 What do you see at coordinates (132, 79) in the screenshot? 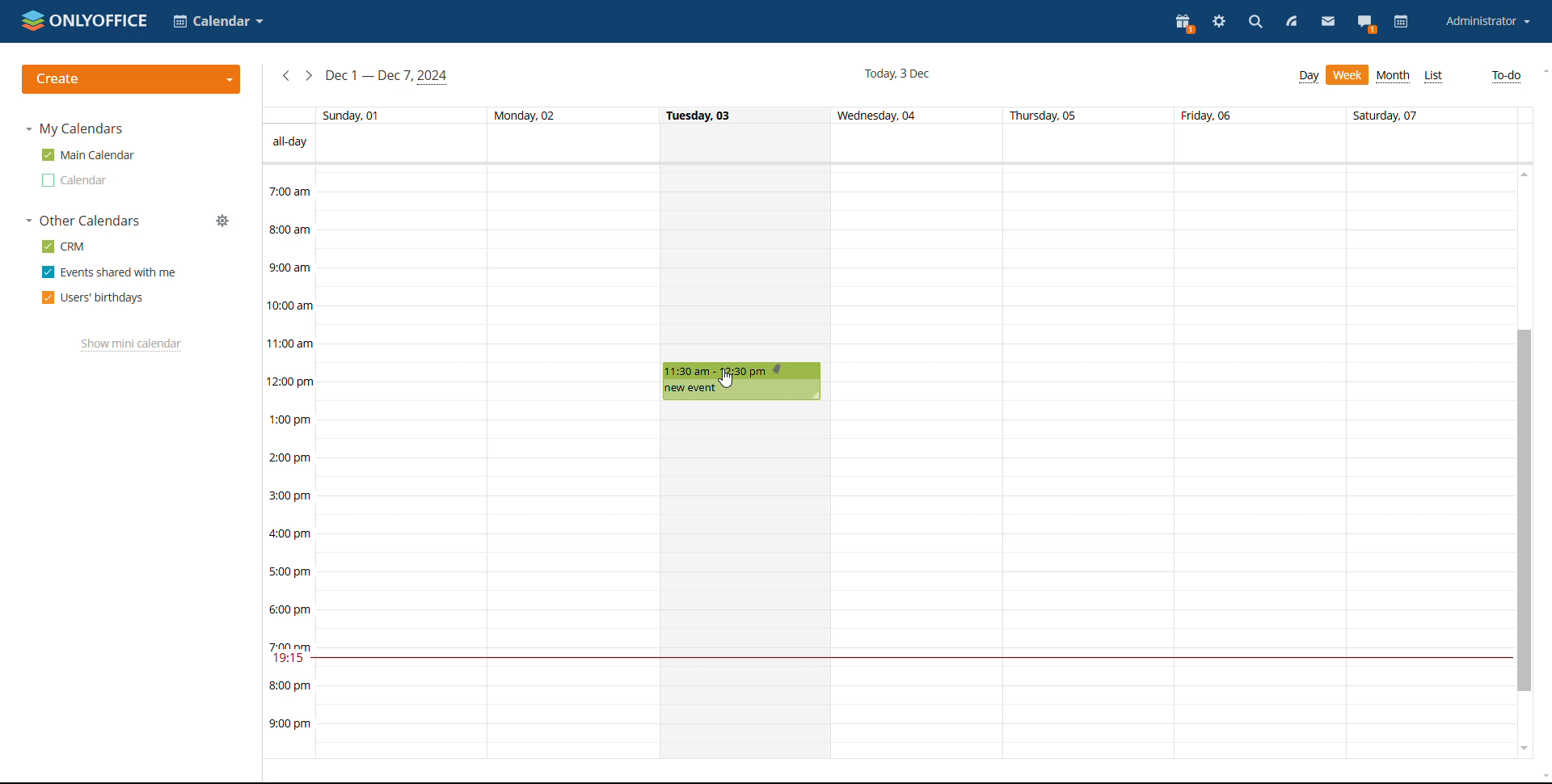
I see `create` at bounding box center [132, 79].